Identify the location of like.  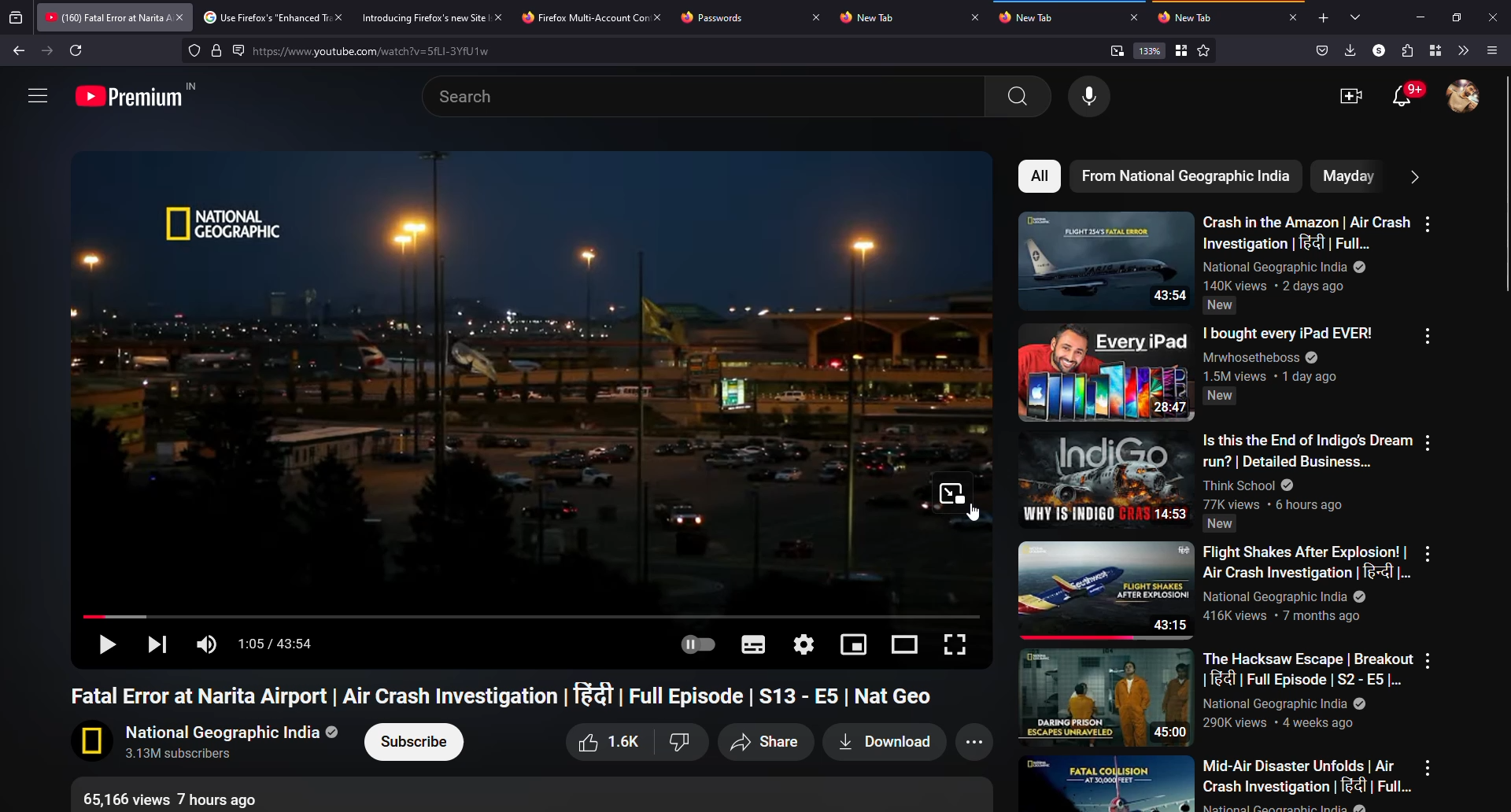
(606, 743).